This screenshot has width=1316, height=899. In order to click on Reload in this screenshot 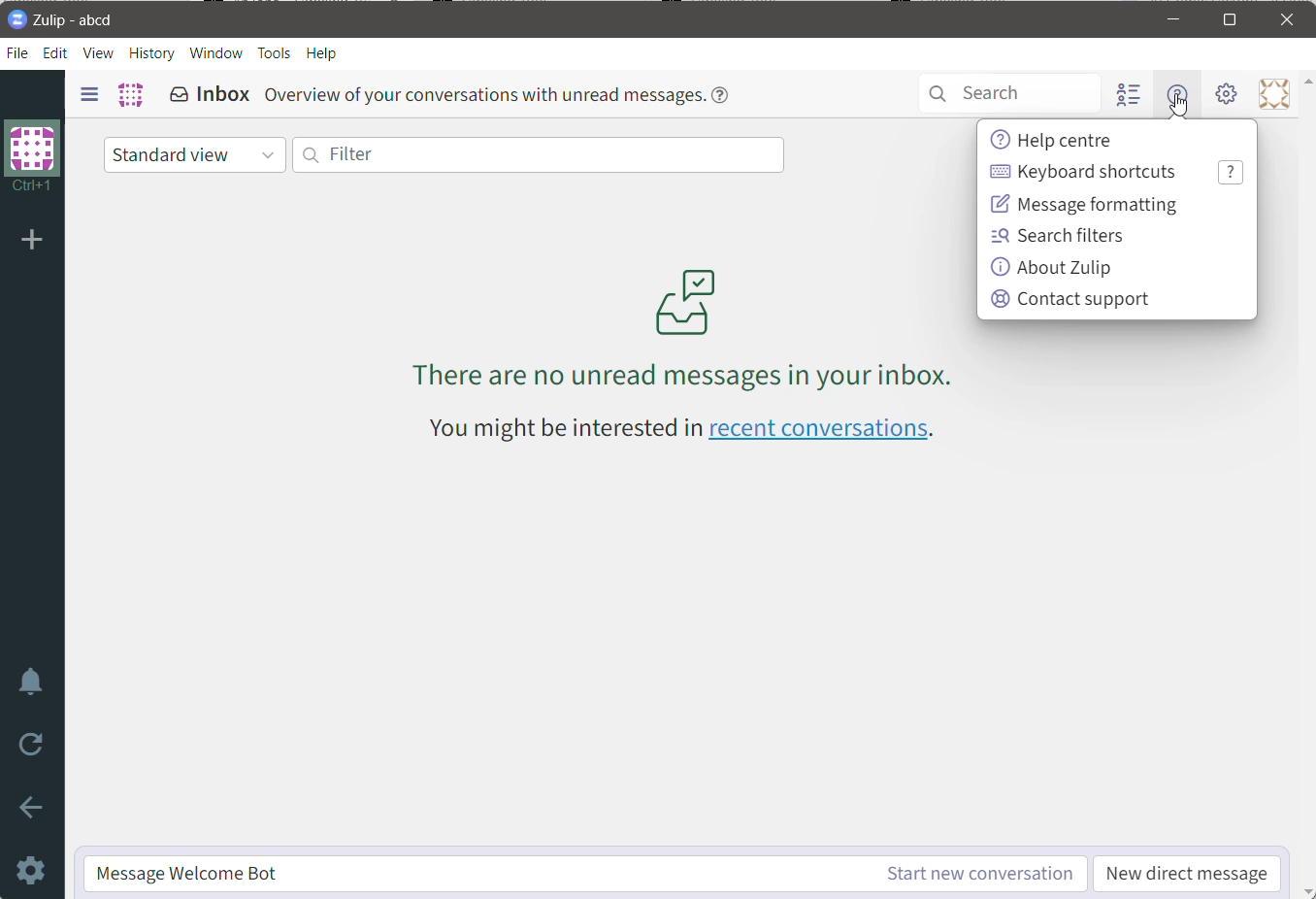, I will do `click(36, 743)`.